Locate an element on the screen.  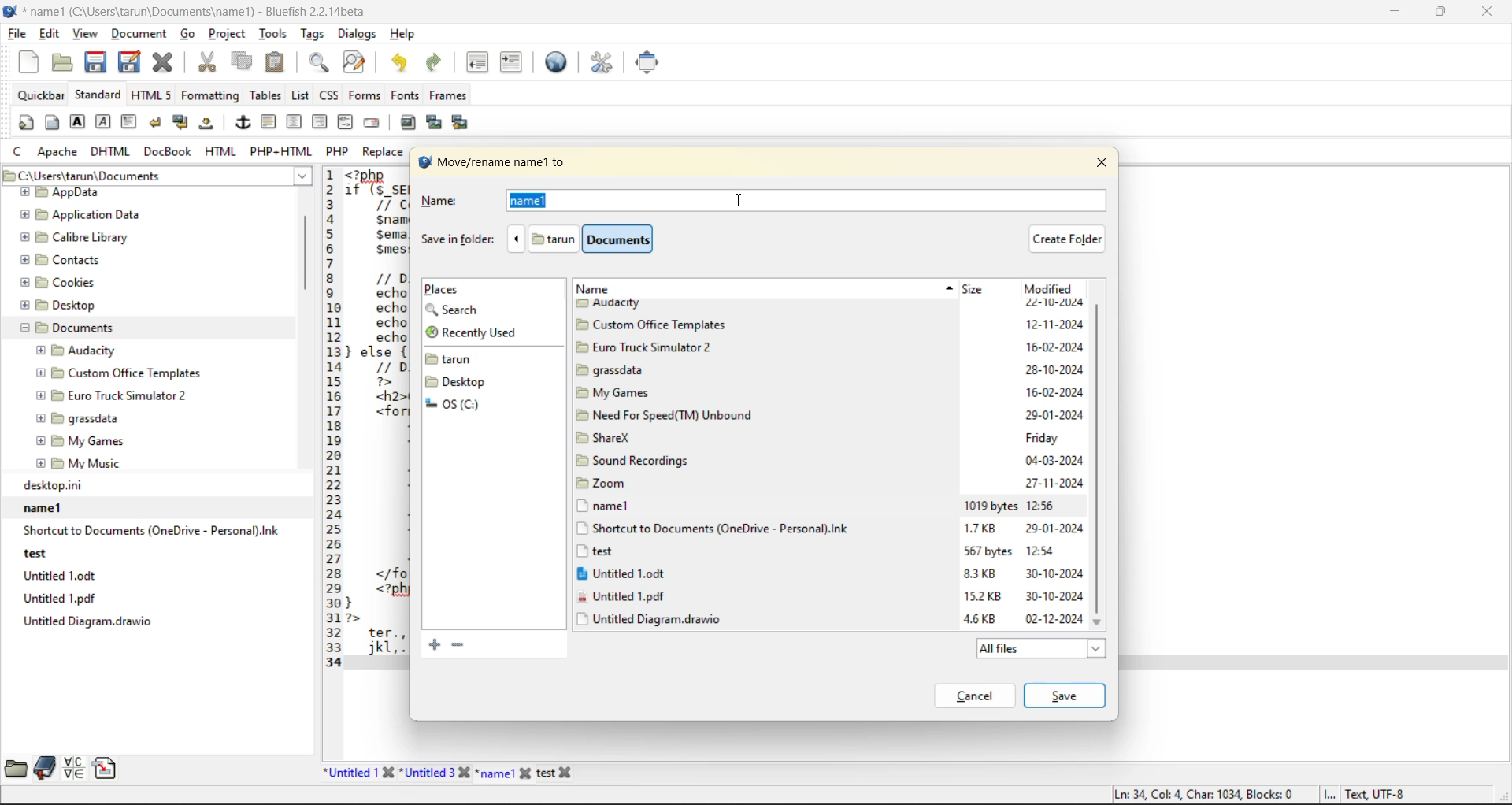
modified date is located at coordinates (1059, 466).